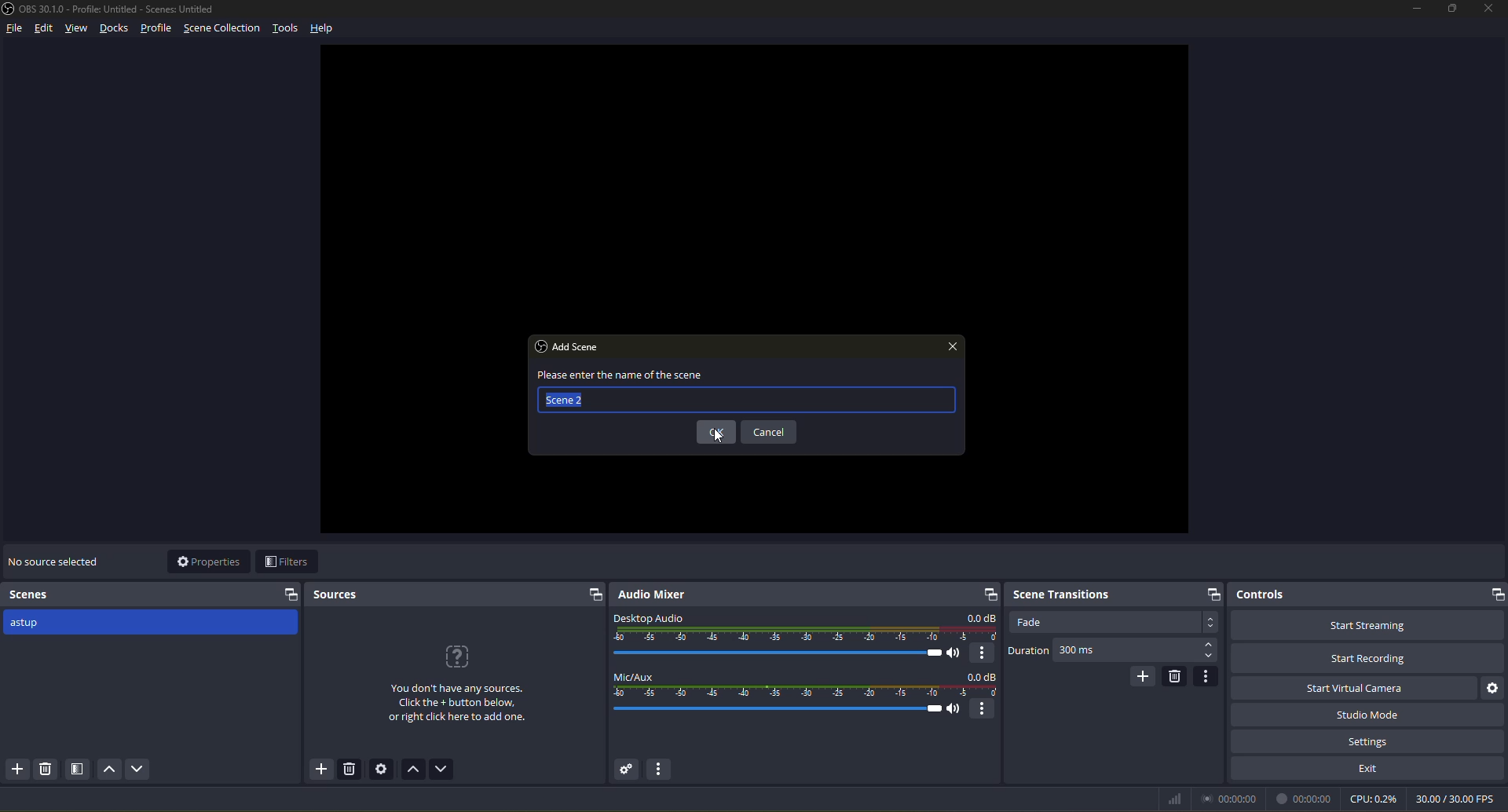  I want to click on tools, so click(287, 30).